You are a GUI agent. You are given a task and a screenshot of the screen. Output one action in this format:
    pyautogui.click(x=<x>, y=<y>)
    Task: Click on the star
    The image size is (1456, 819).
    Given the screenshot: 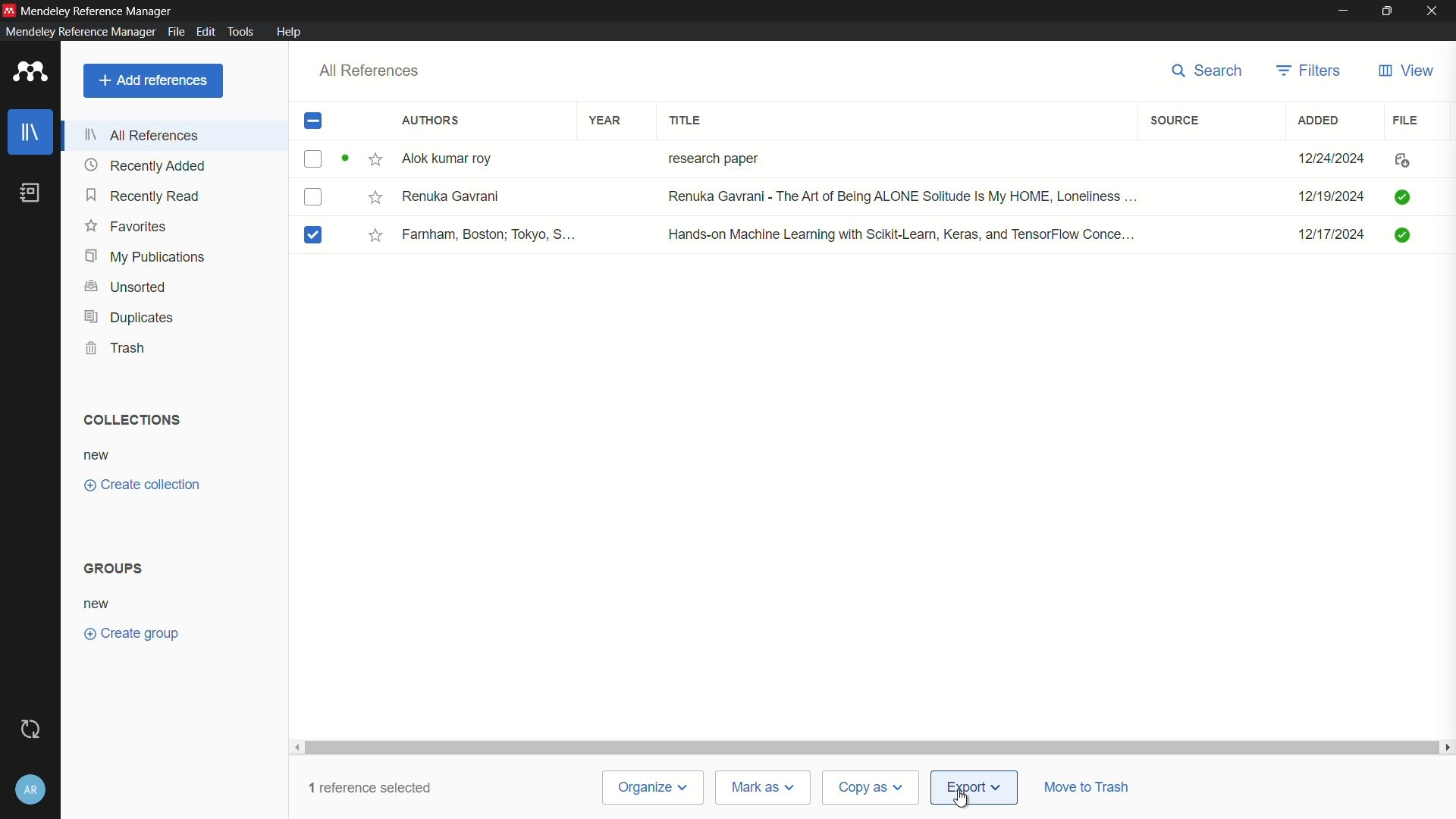 What is the action you would take?
    pyautogui.click(x=375, y=199)
    